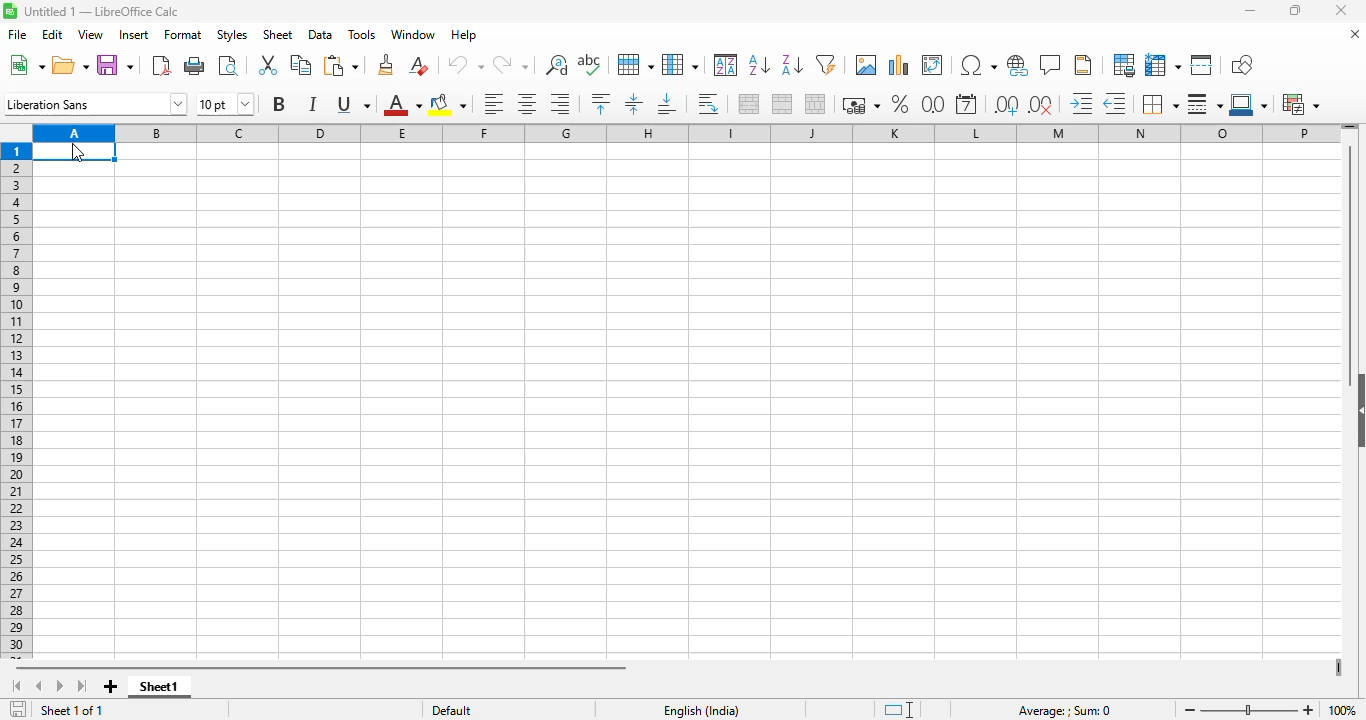 This screenshot has width=1366, height=720. What do you see at coordinates (1340, 10) in the screenshot?
I see `close` at bounding box center [1340, 10].